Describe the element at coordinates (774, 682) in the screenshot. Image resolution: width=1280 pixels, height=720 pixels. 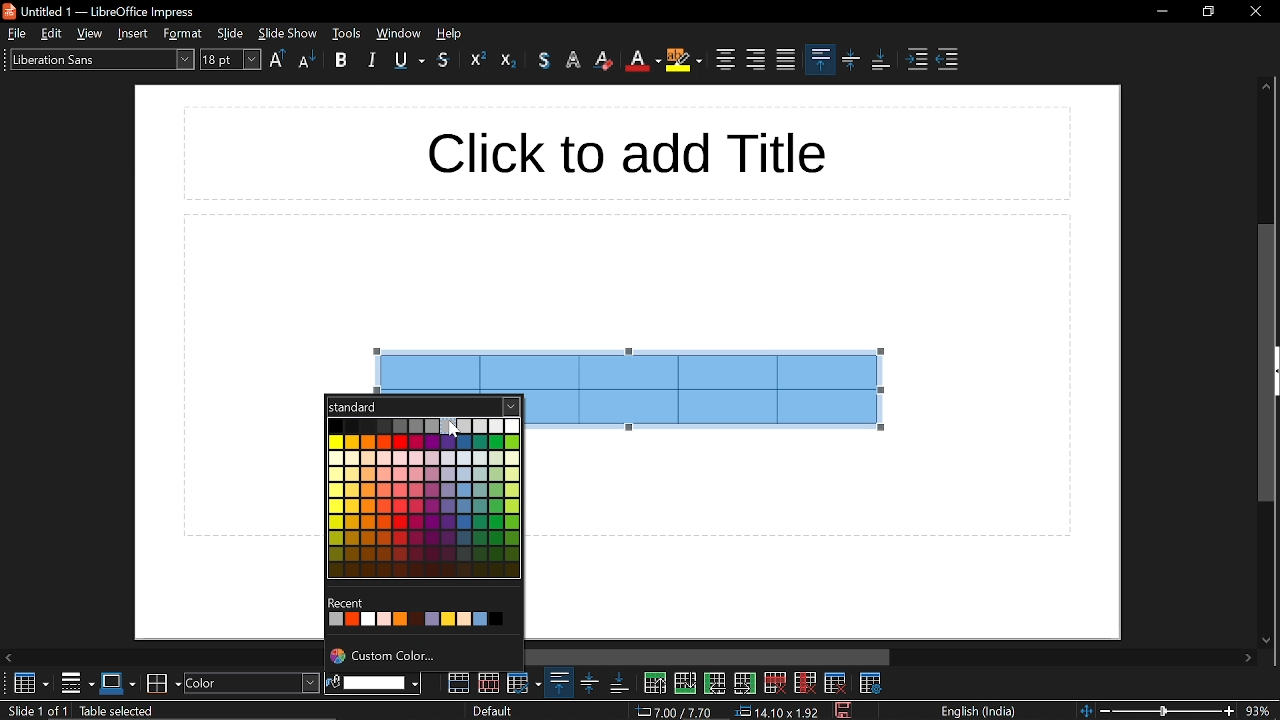
I see `delete row ` at that location.